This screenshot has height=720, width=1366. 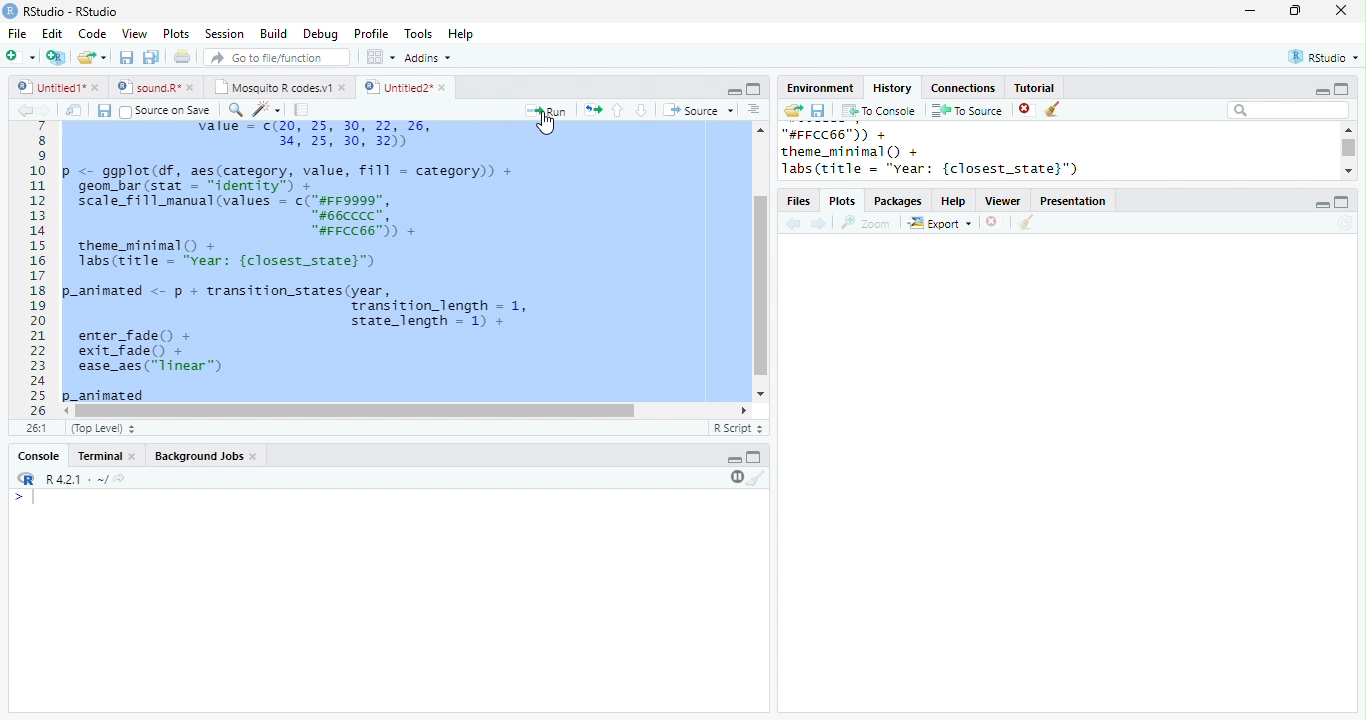 I want to click on Untitled2, so click(x=396, y=87).